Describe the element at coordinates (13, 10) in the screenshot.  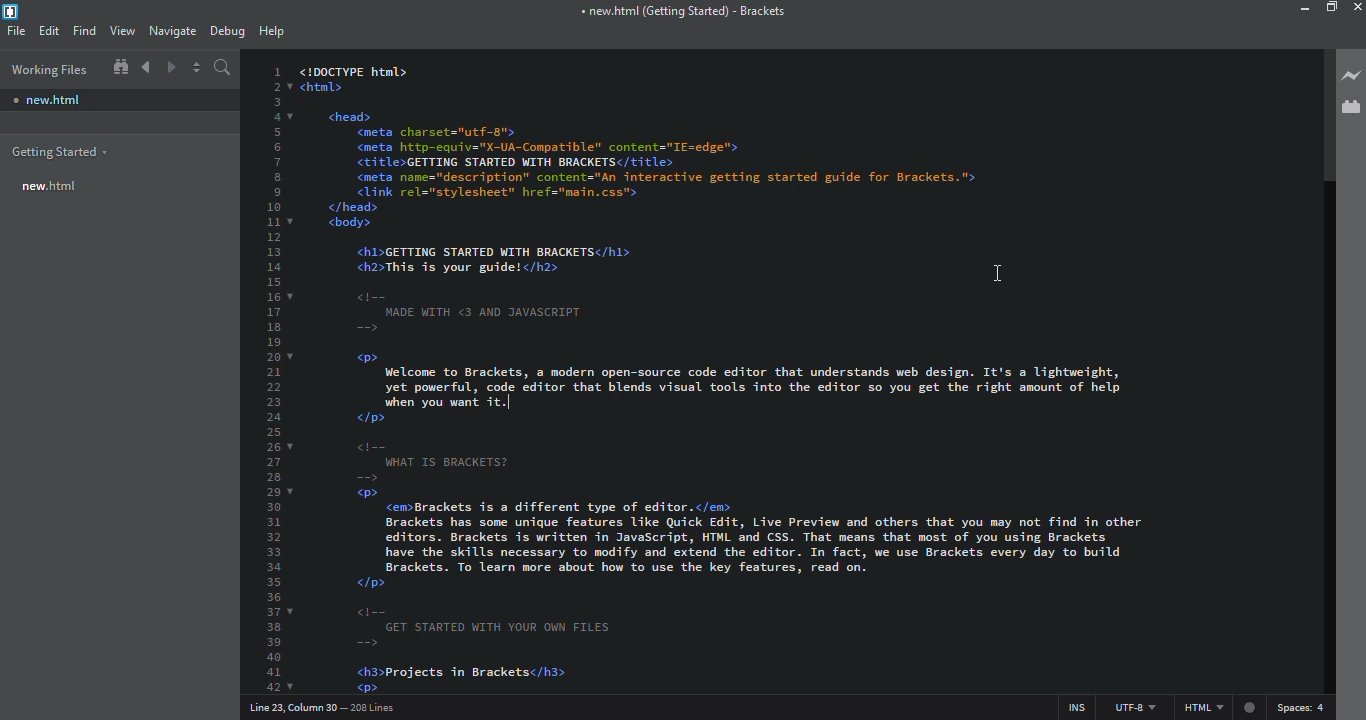
I see `brackets` at that location.